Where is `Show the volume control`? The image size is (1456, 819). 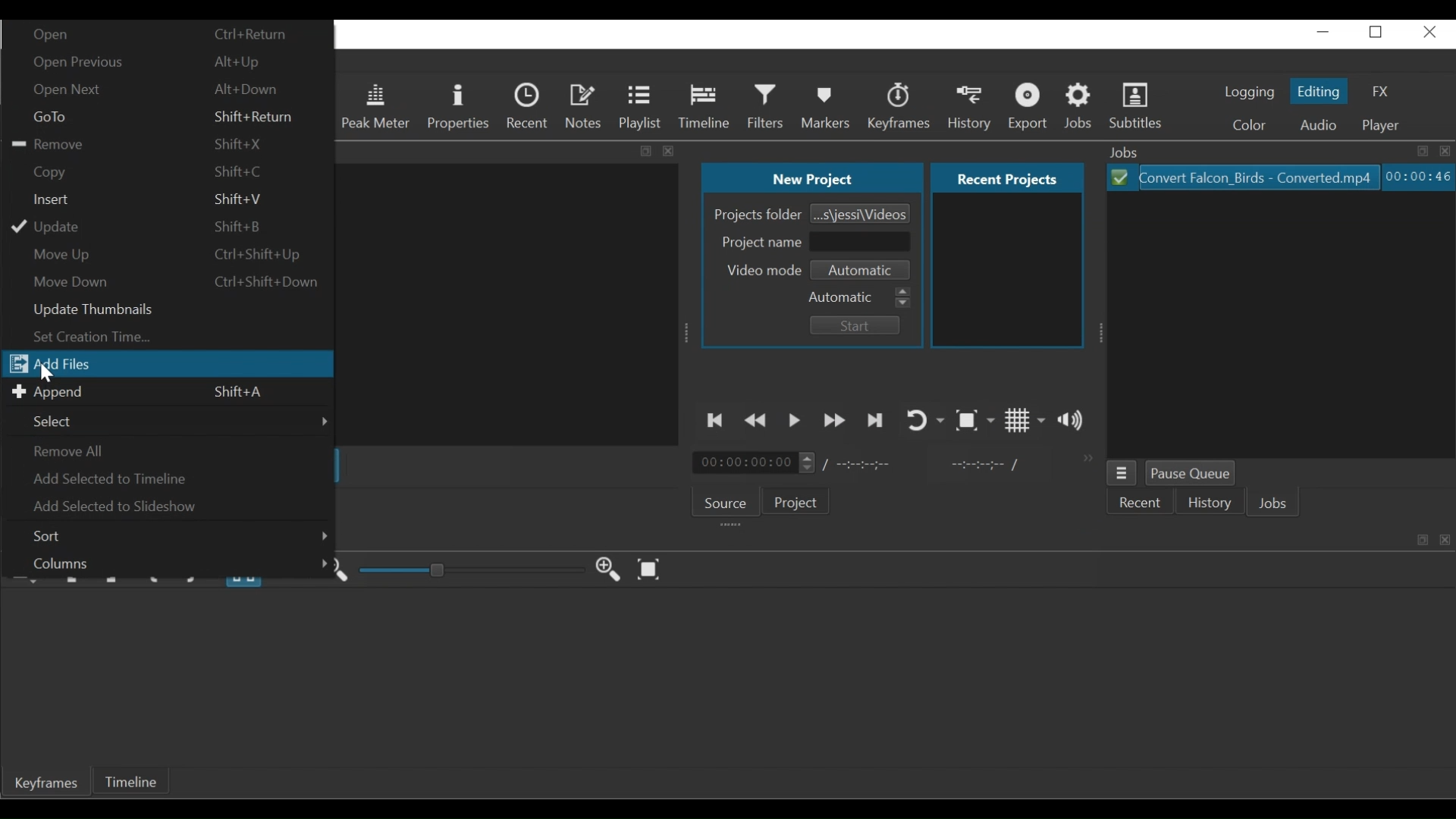
Show the volume control is located at coordinates (1071, 421).